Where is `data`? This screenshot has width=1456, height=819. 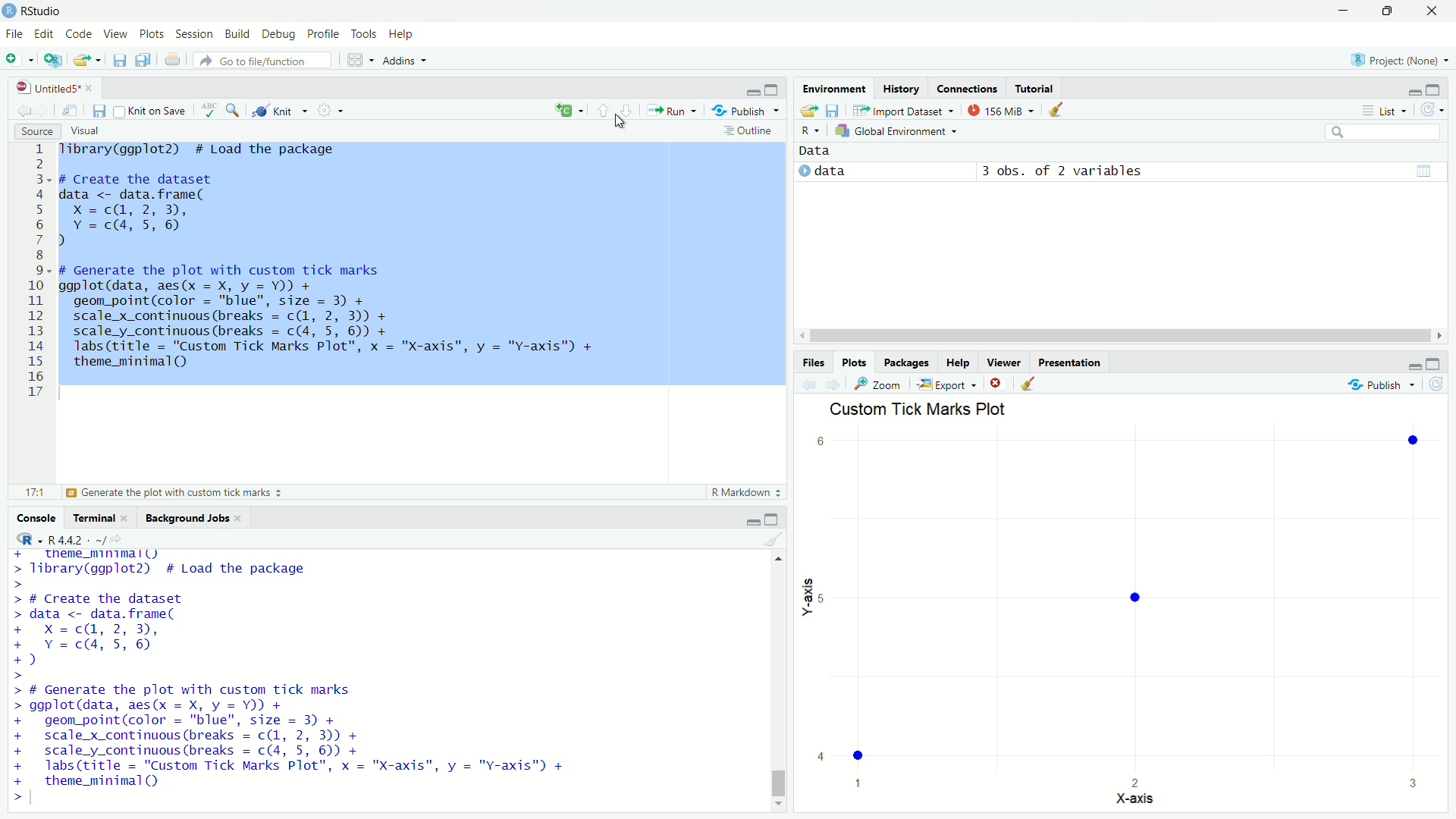 data is located at coordinates (827, 151).